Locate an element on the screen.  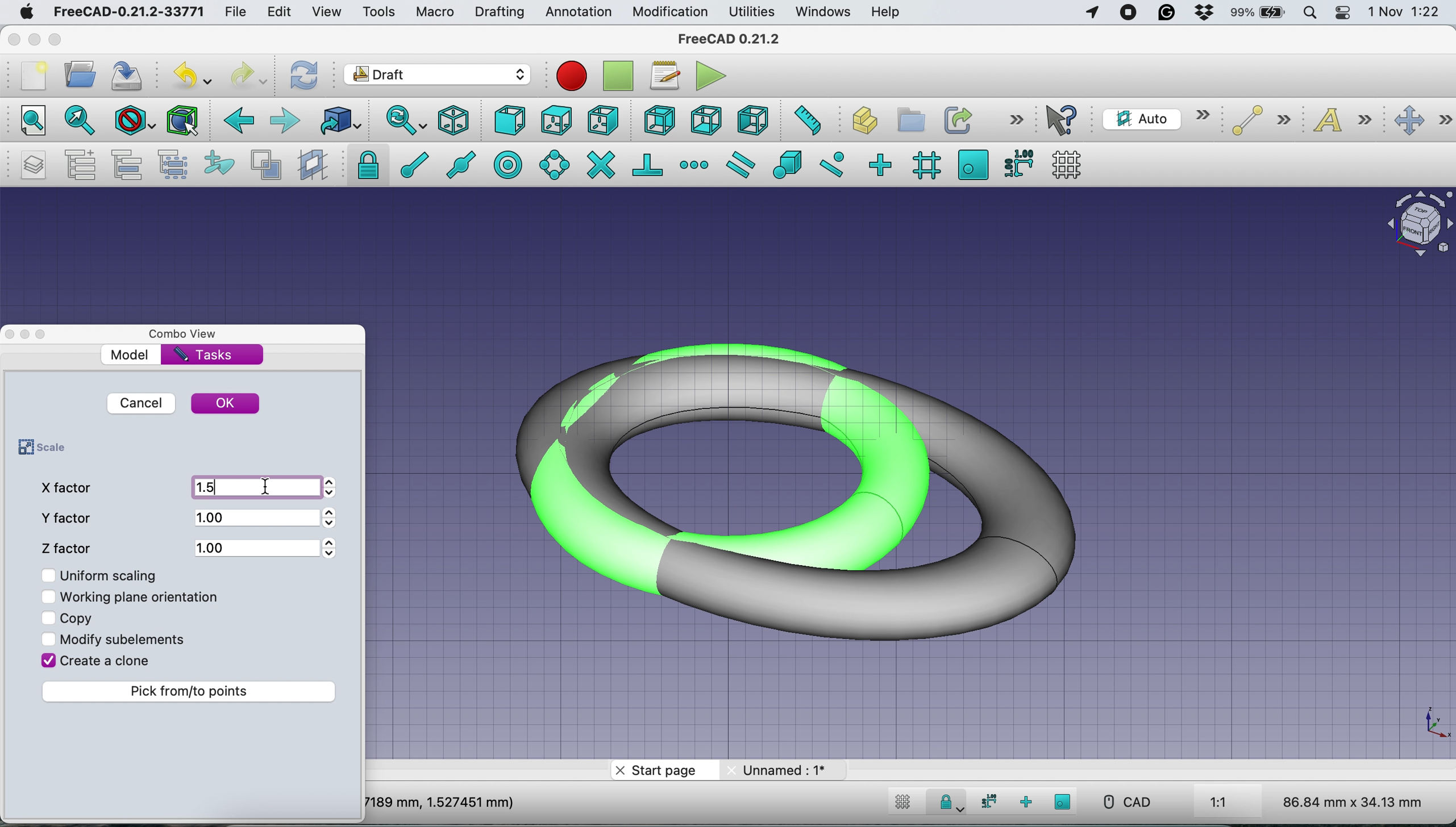
spotlight search is located at coordinates (1312, 11).